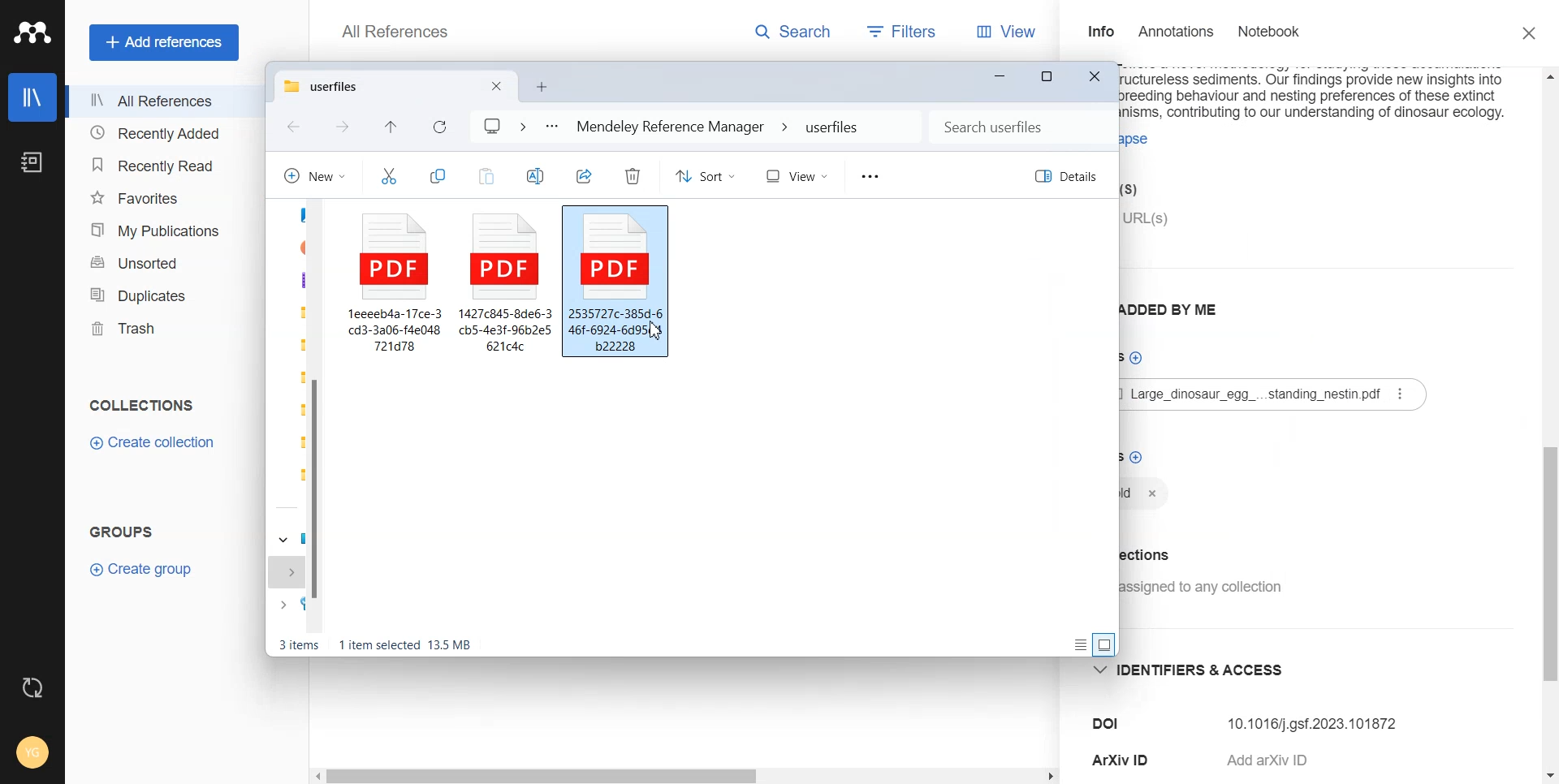 This screenshot has height=784, width=1559. I want to click on Annotations, so click(1178, 32).